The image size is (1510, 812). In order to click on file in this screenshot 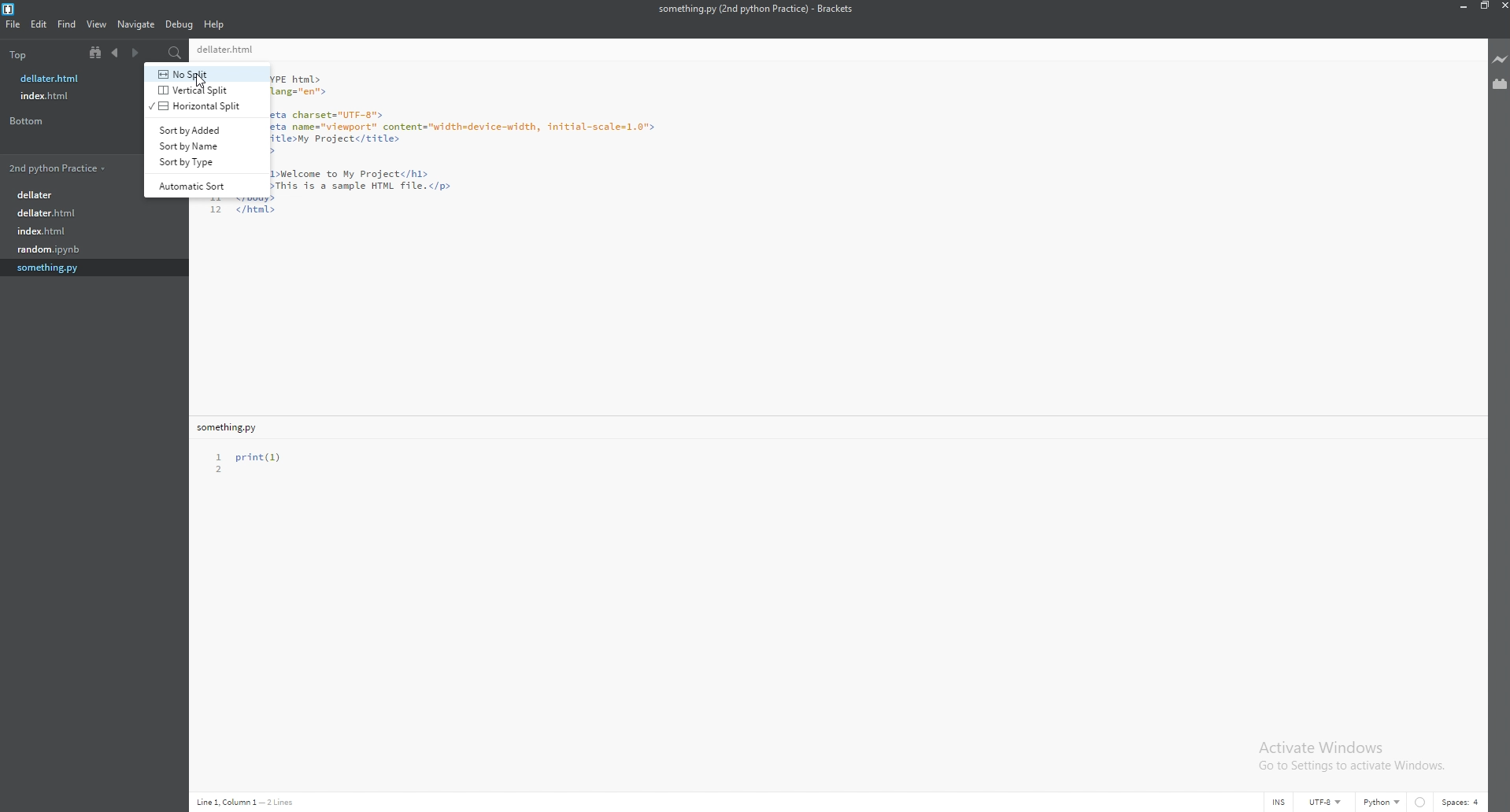, I will do `click(13, 24)`.